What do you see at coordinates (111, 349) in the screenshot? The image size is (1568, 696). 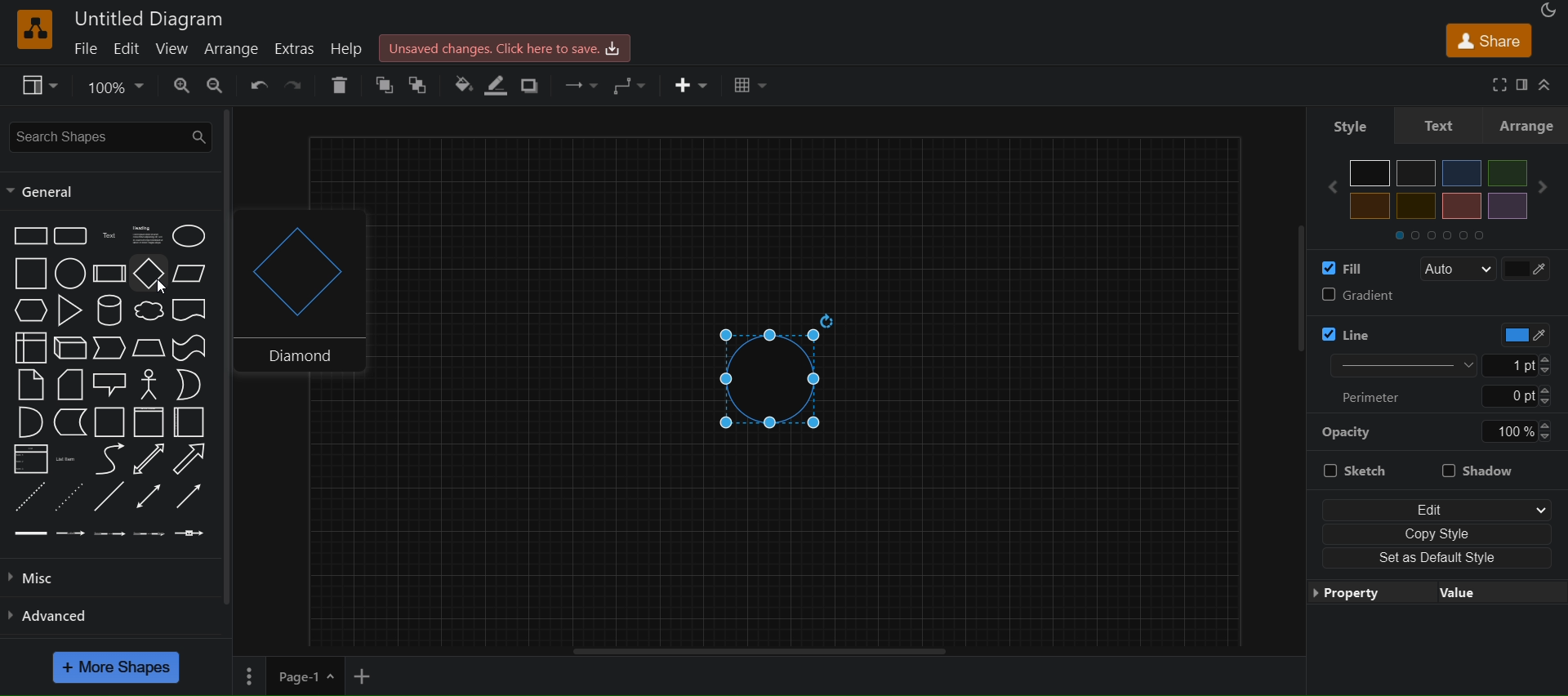 I see `step` at bounding box center [111, 349].